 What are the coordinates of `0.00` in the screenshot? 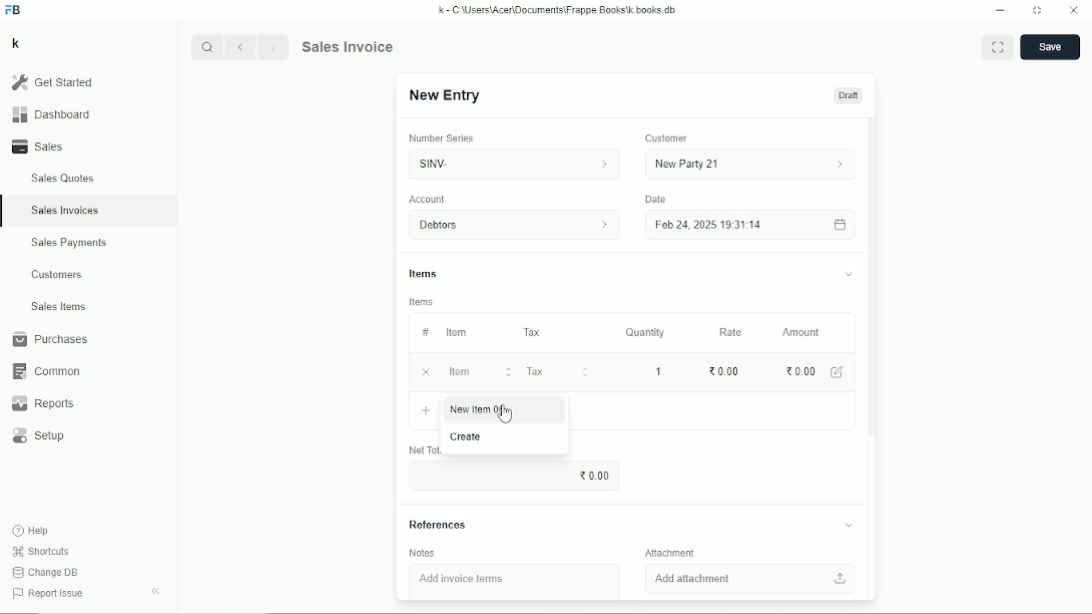 It's located at (723, 371).